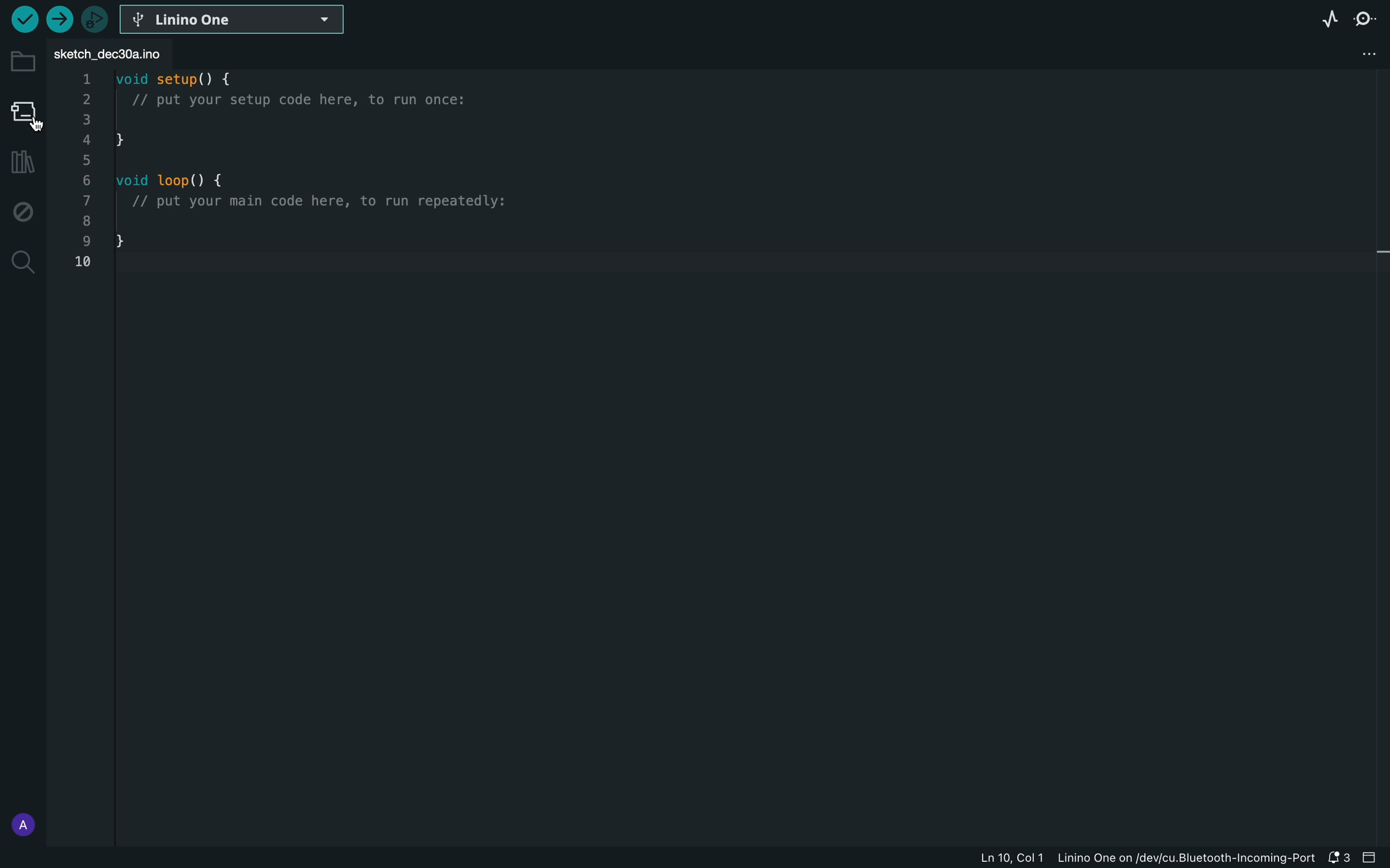 The image size is (1390, 868). What do you see at coordinates (59, 19) in the screenshot?
I see `upload` at bounding box center [59, 19].